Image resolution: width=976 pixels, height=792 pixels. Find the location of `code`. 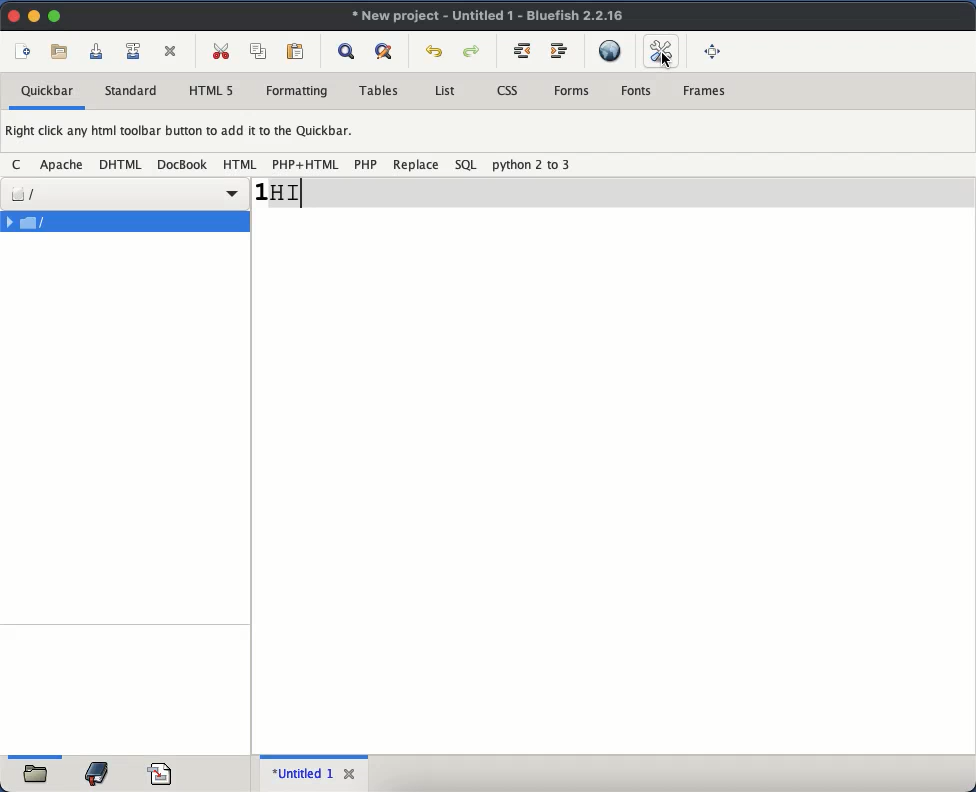

code is located at coordinates (160, 771).